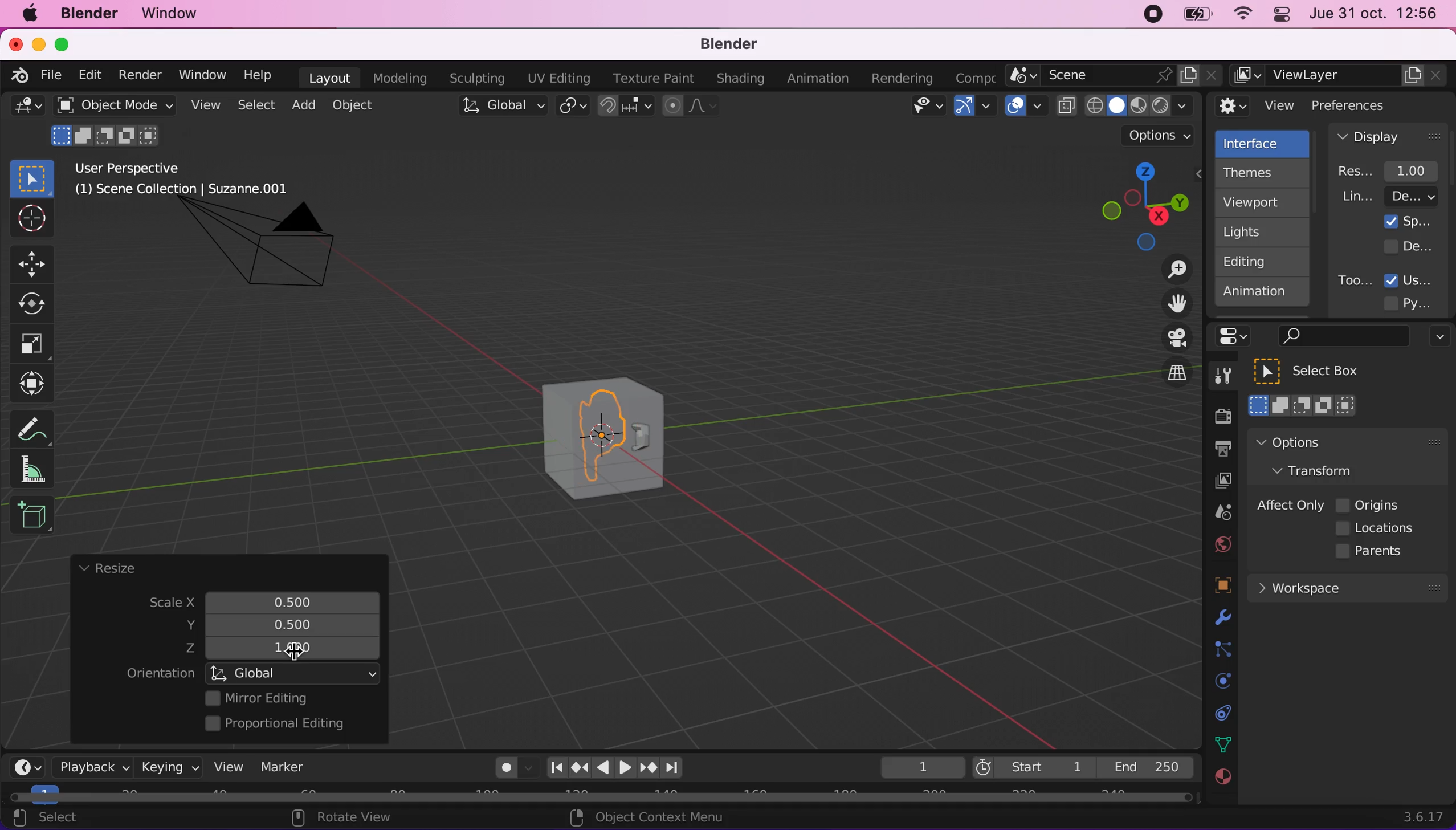 The image size is (1456, 830). I want to click on mac logo, so click(29, 15).